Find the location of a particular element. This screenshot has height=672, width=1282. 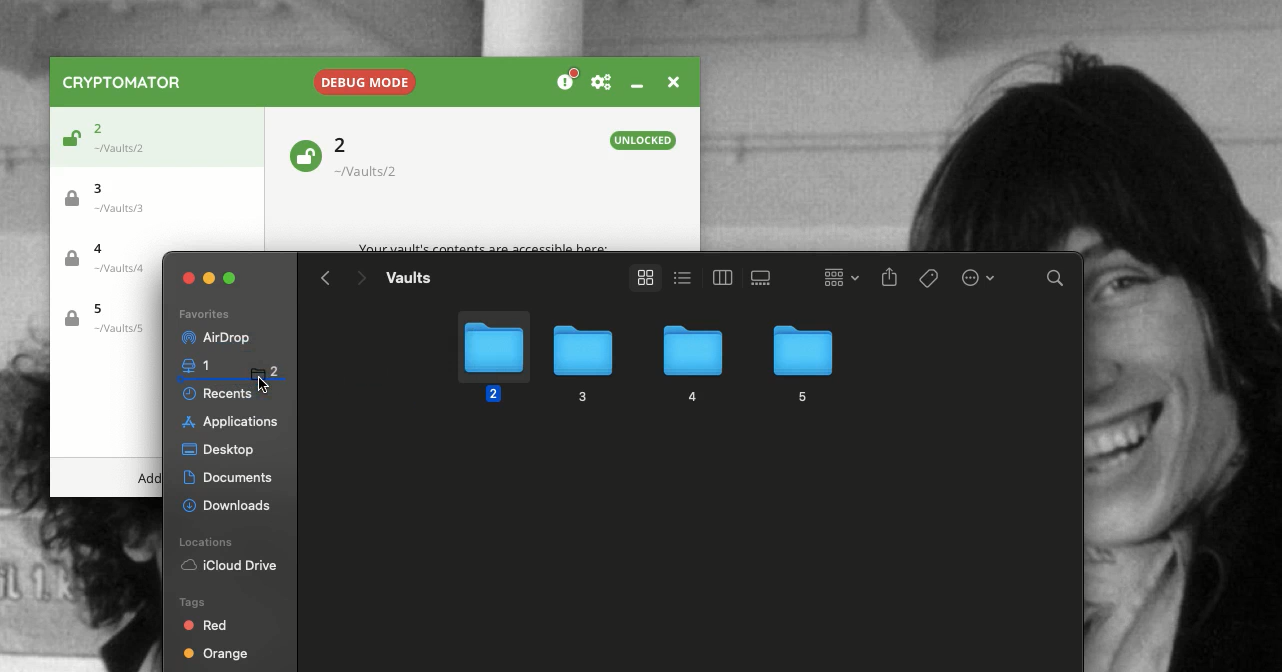

View 2 is located at coordinates (719, 277).